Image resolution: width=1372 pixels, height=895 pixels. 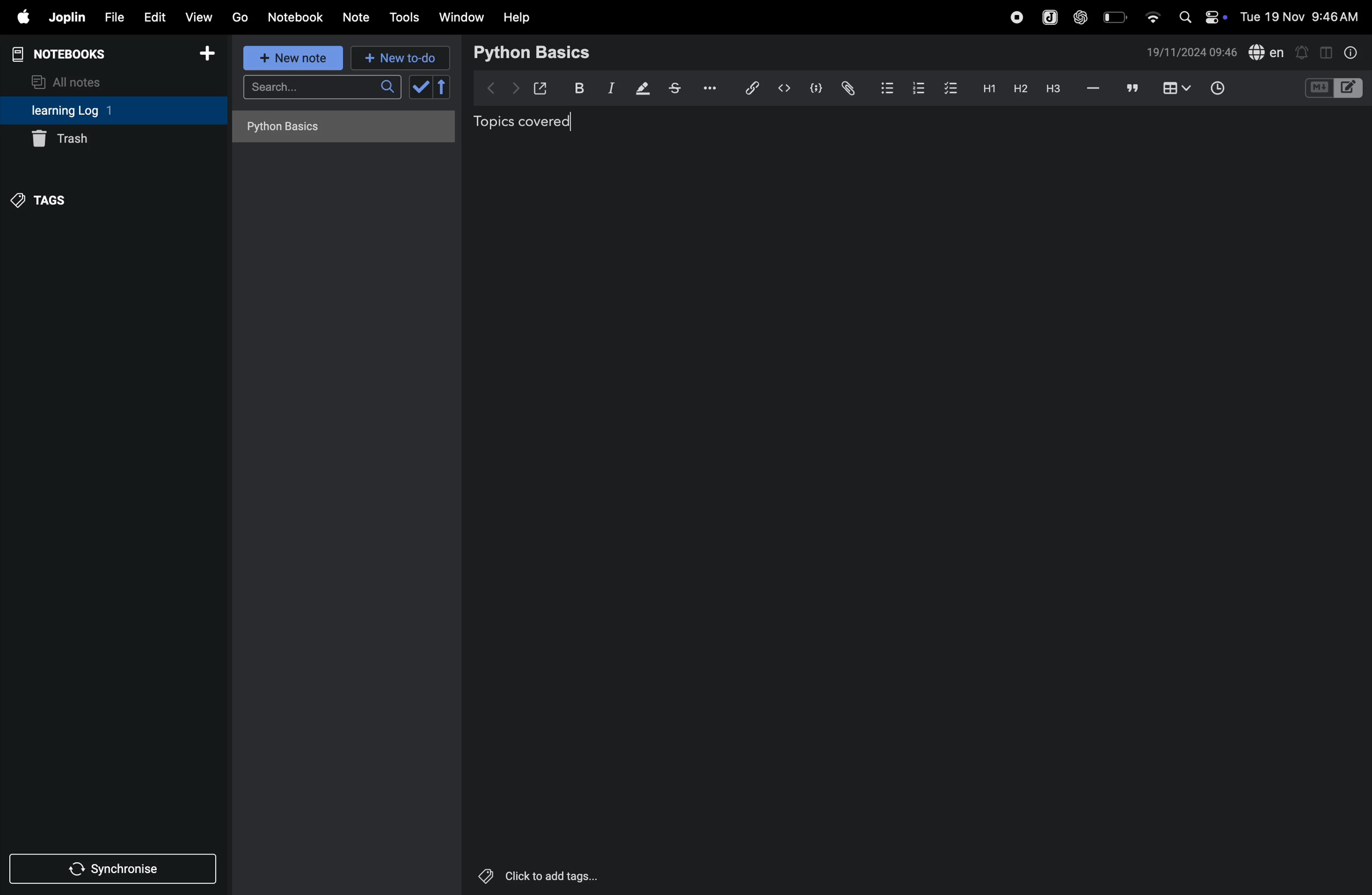 I want to click on alert, so click(x=1303, y=51).